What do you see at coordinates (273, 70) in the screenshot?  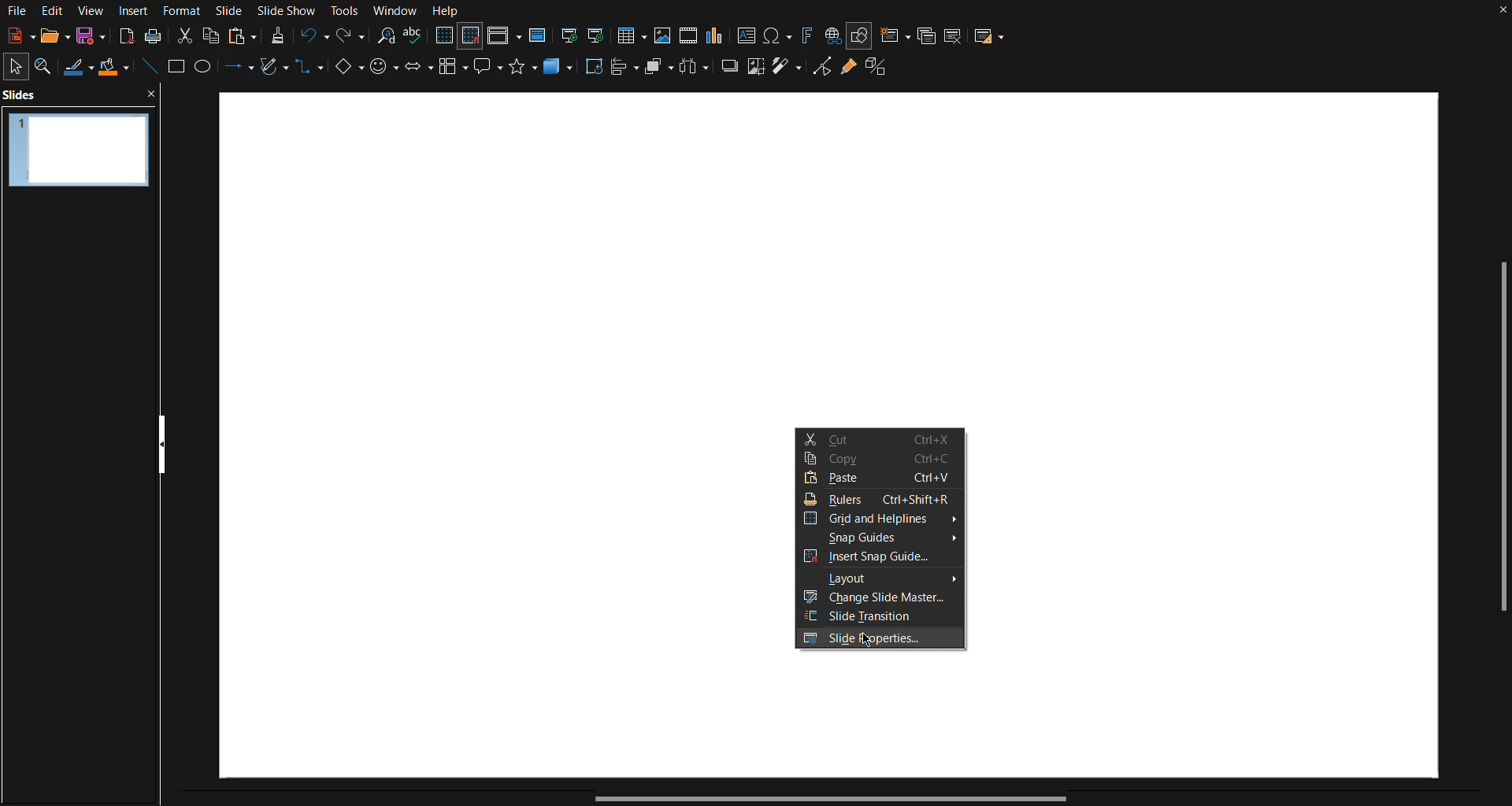 I see `Vectors` at bounding box center [273, 70].